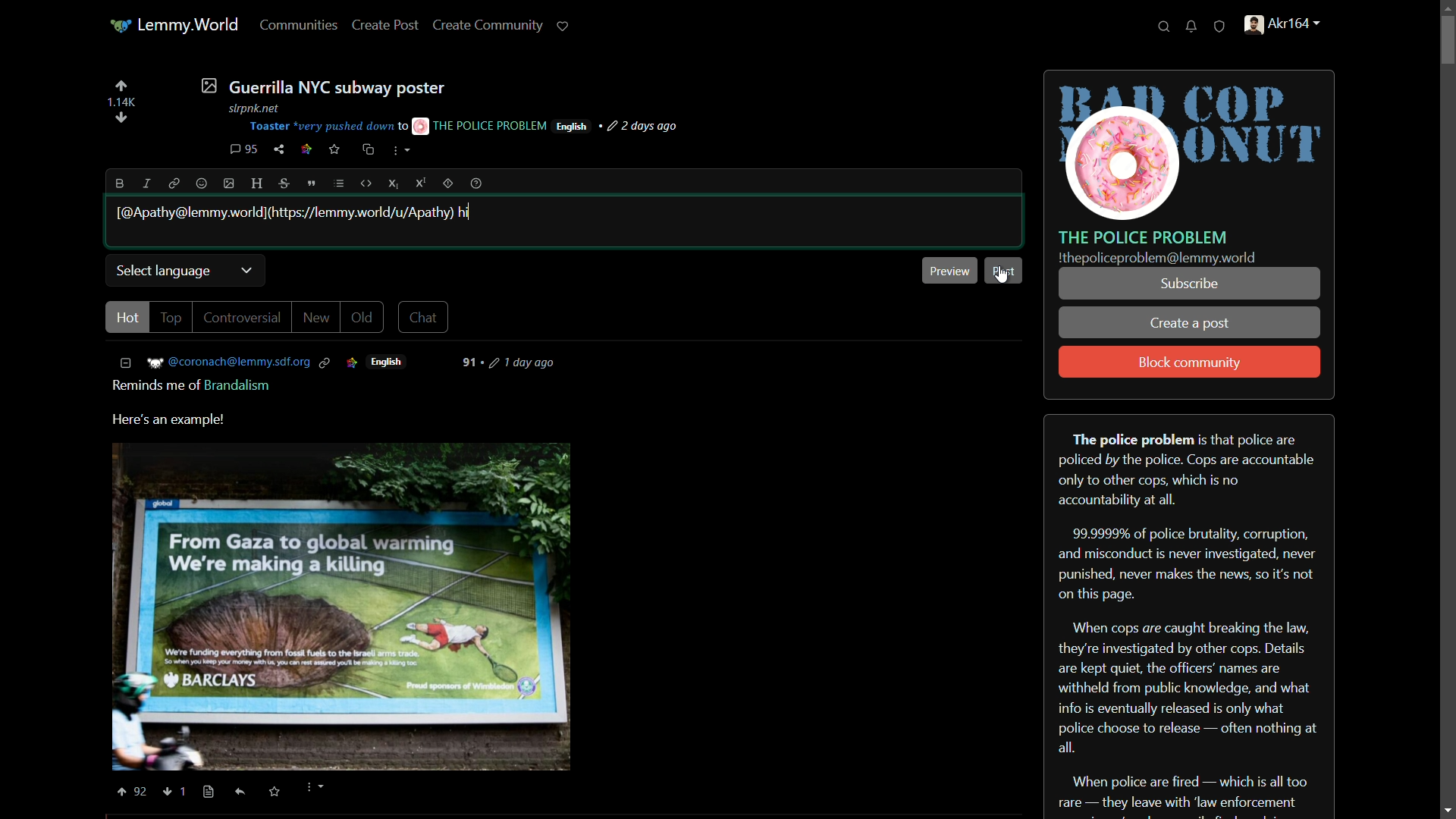 This screenshot has height=819, width=1456. Describe the element at coordinates (335, 149) in the screenshot. I see `save` at that location.